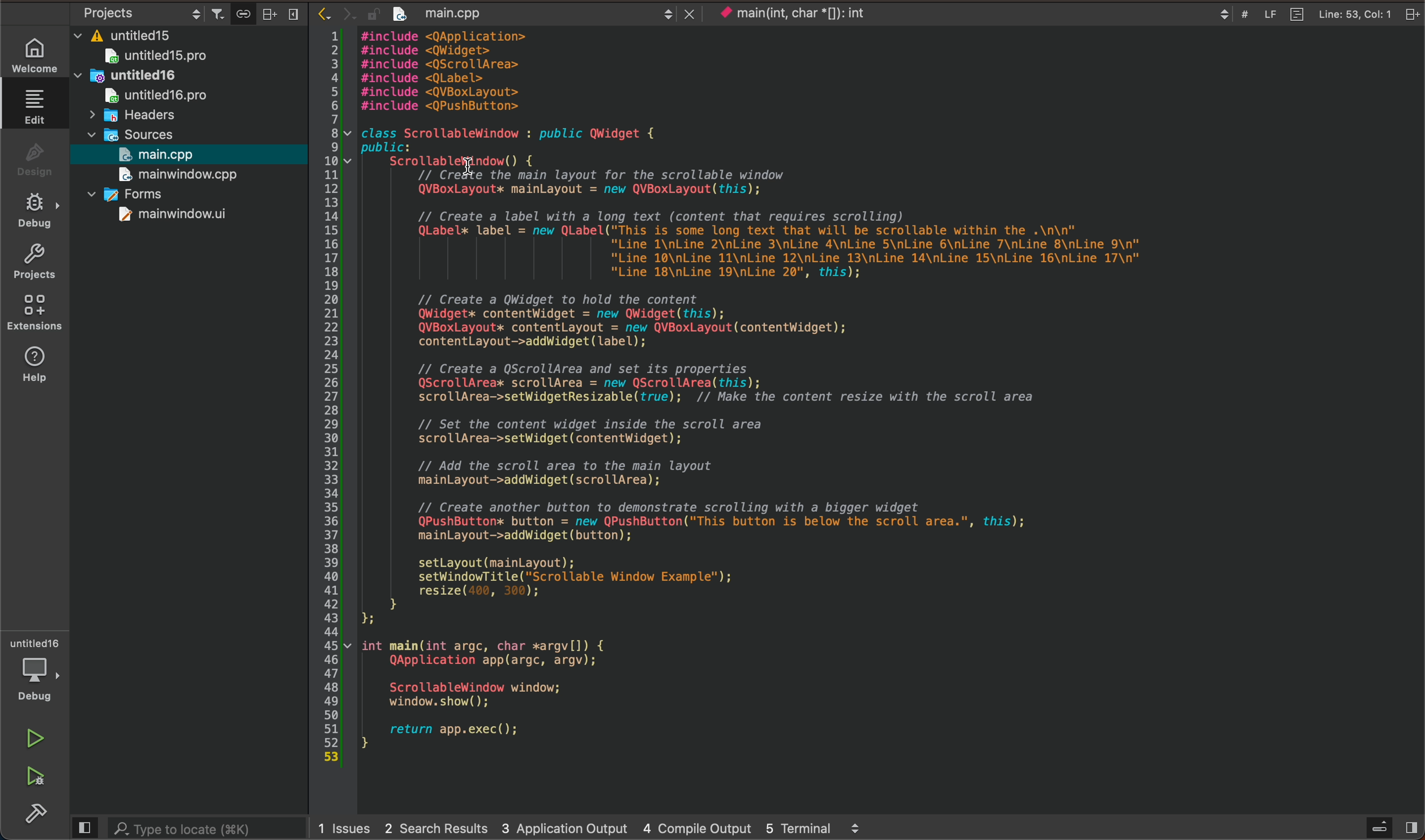 Image resolution: width=1425 pixels, height=840 pixels. Describe the element at coordinates (464, 167) in the screenshot. I see `cursor` at that location.